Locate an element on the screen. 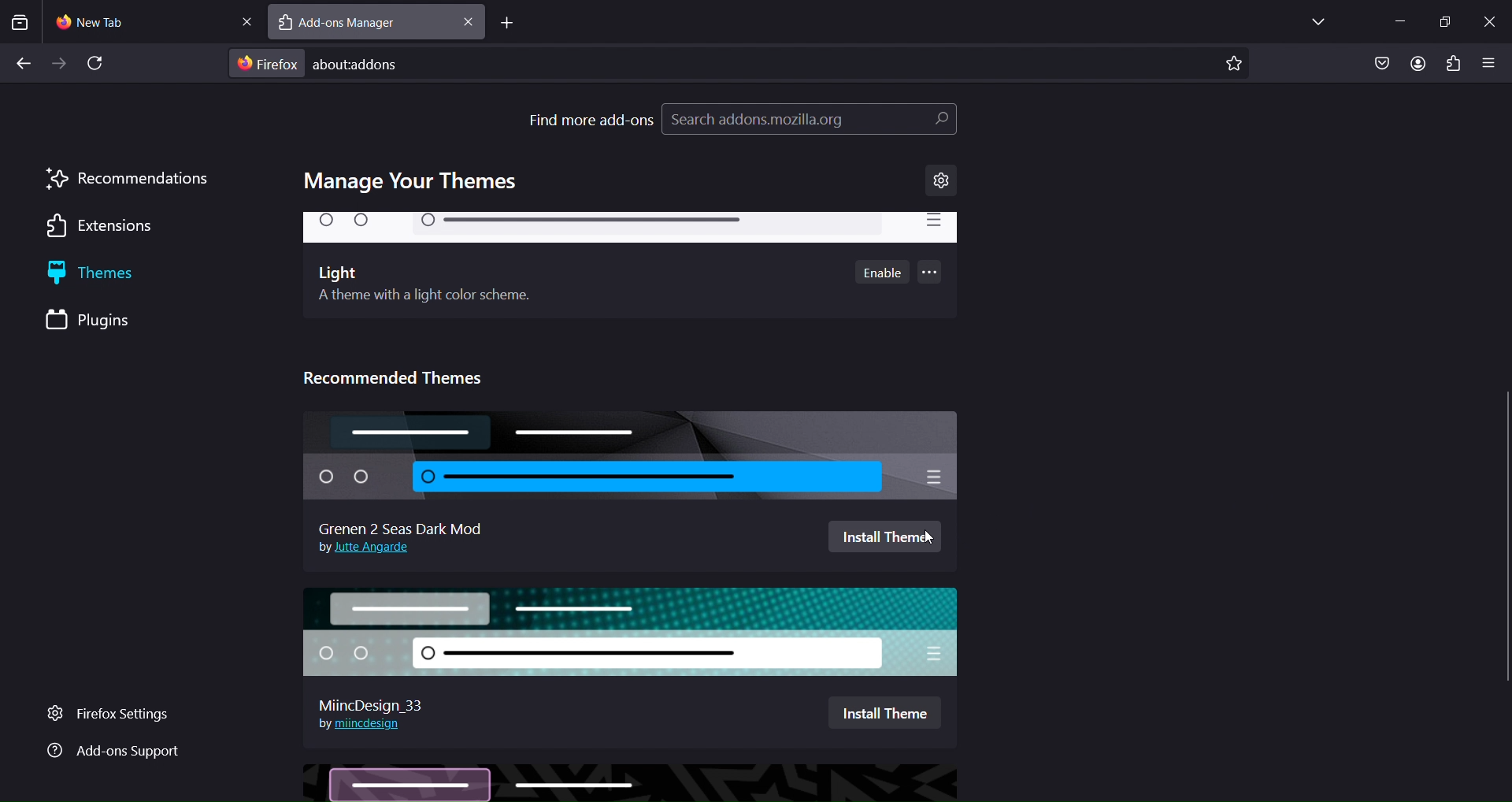  close is located at coordinates (1490, 19).